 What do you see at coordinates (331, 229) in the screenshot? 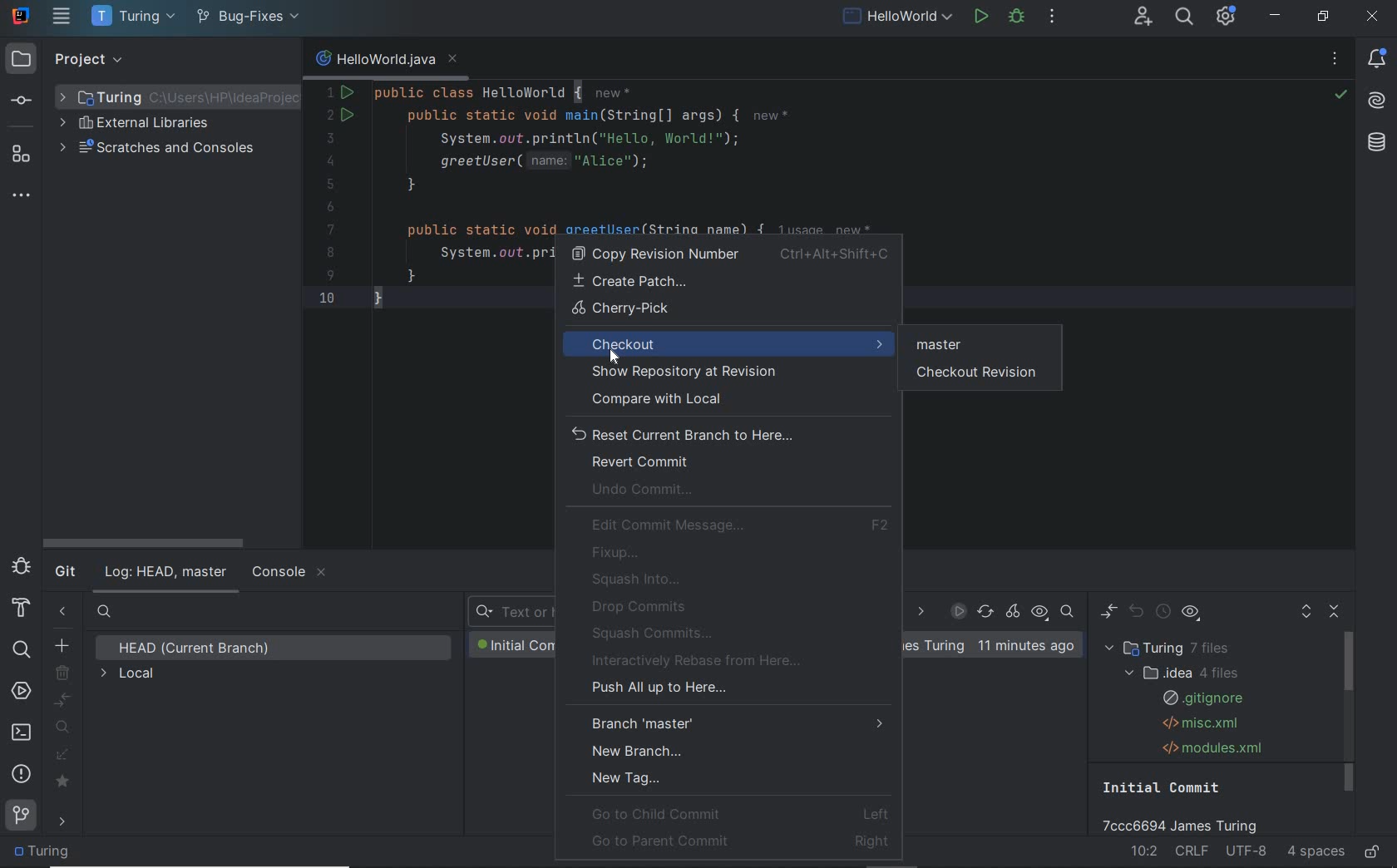
I see `7` at bounding box center [331, 229].